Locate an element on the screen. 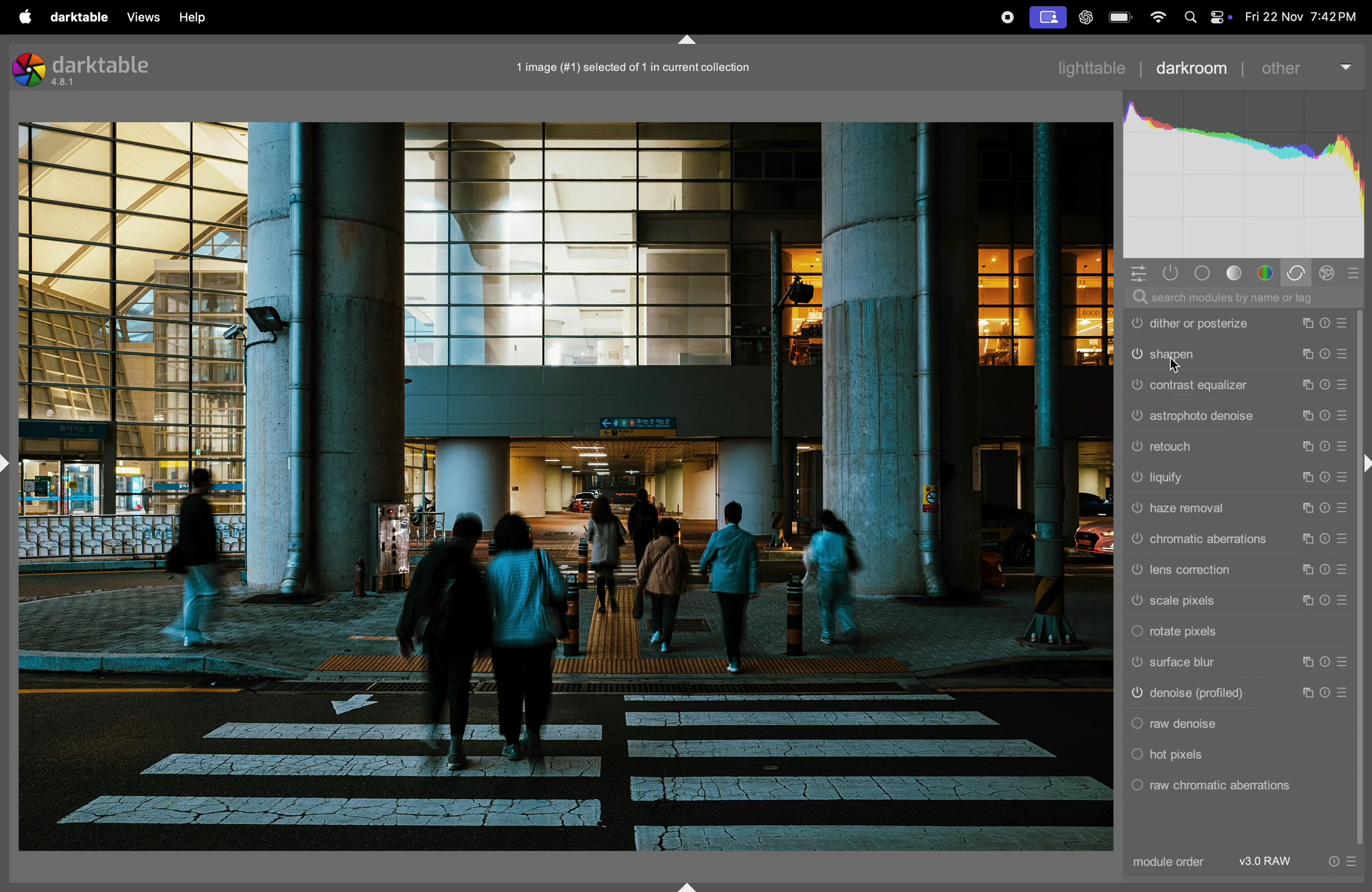  colors is located at coordinates (1265, 272).